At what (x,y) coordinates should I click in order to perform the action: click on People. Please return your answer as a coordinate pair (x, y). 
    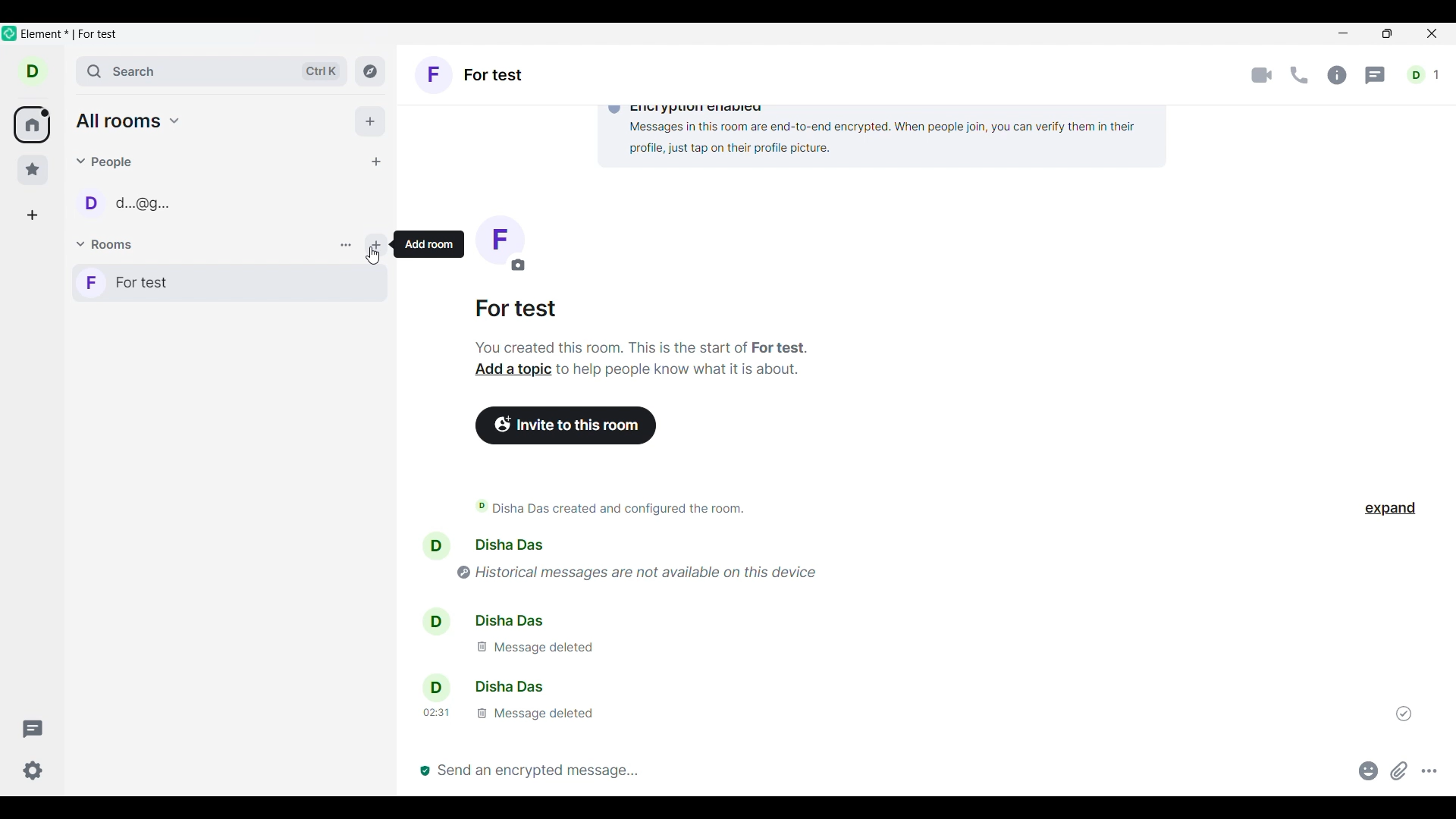
    Looking at the image, I should click on (105, 162).